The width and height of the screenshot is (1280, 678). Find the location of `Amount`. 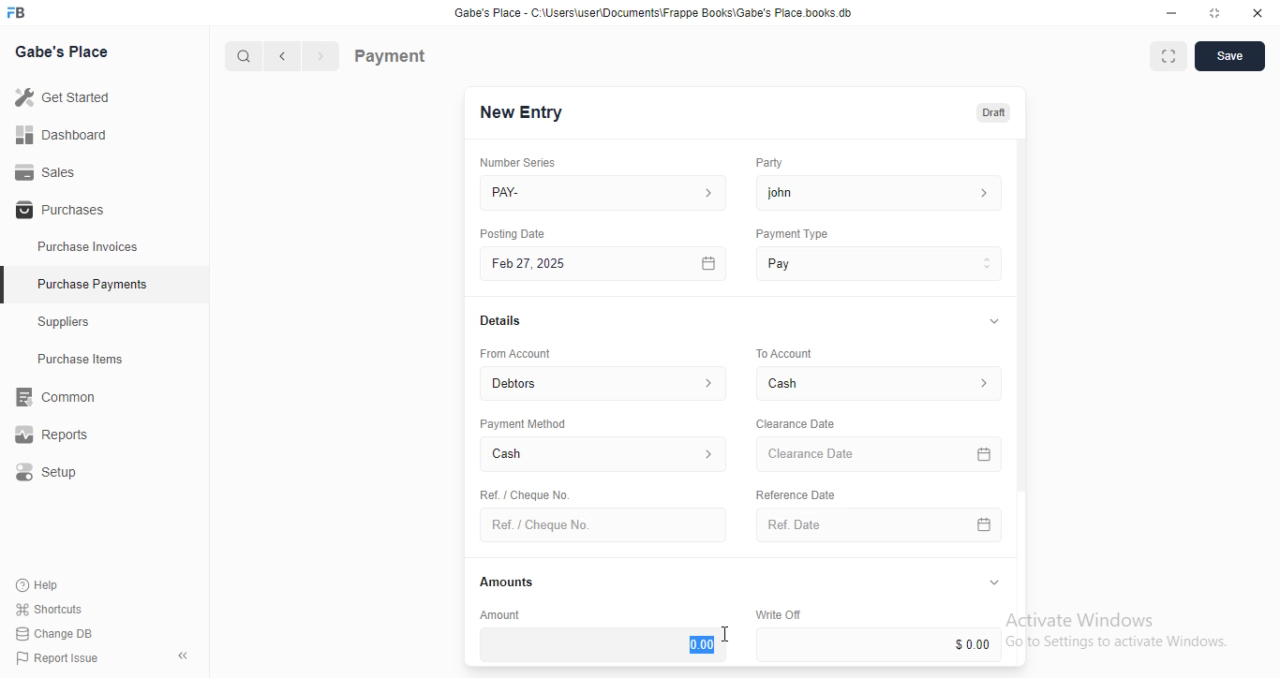

Amount is located at coordinates (497, 614).